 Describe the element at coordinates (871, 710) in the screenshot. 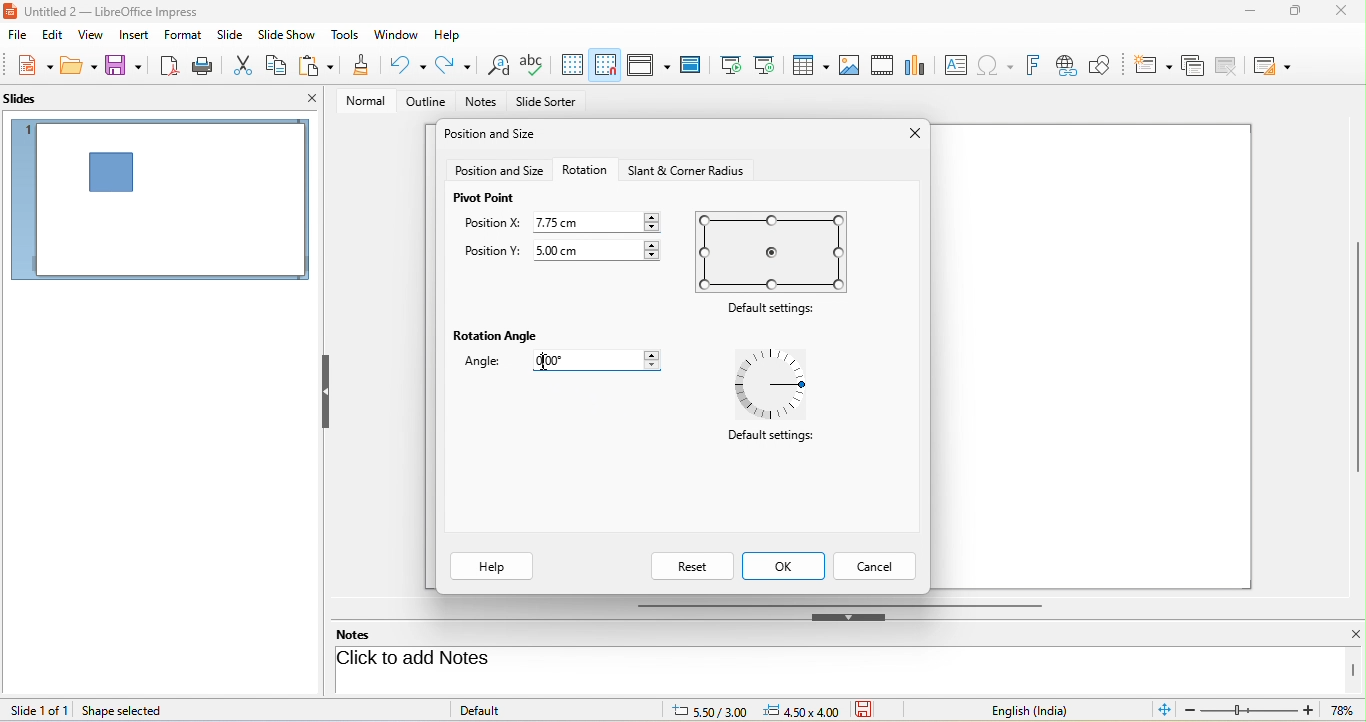

I see `save` at that location.